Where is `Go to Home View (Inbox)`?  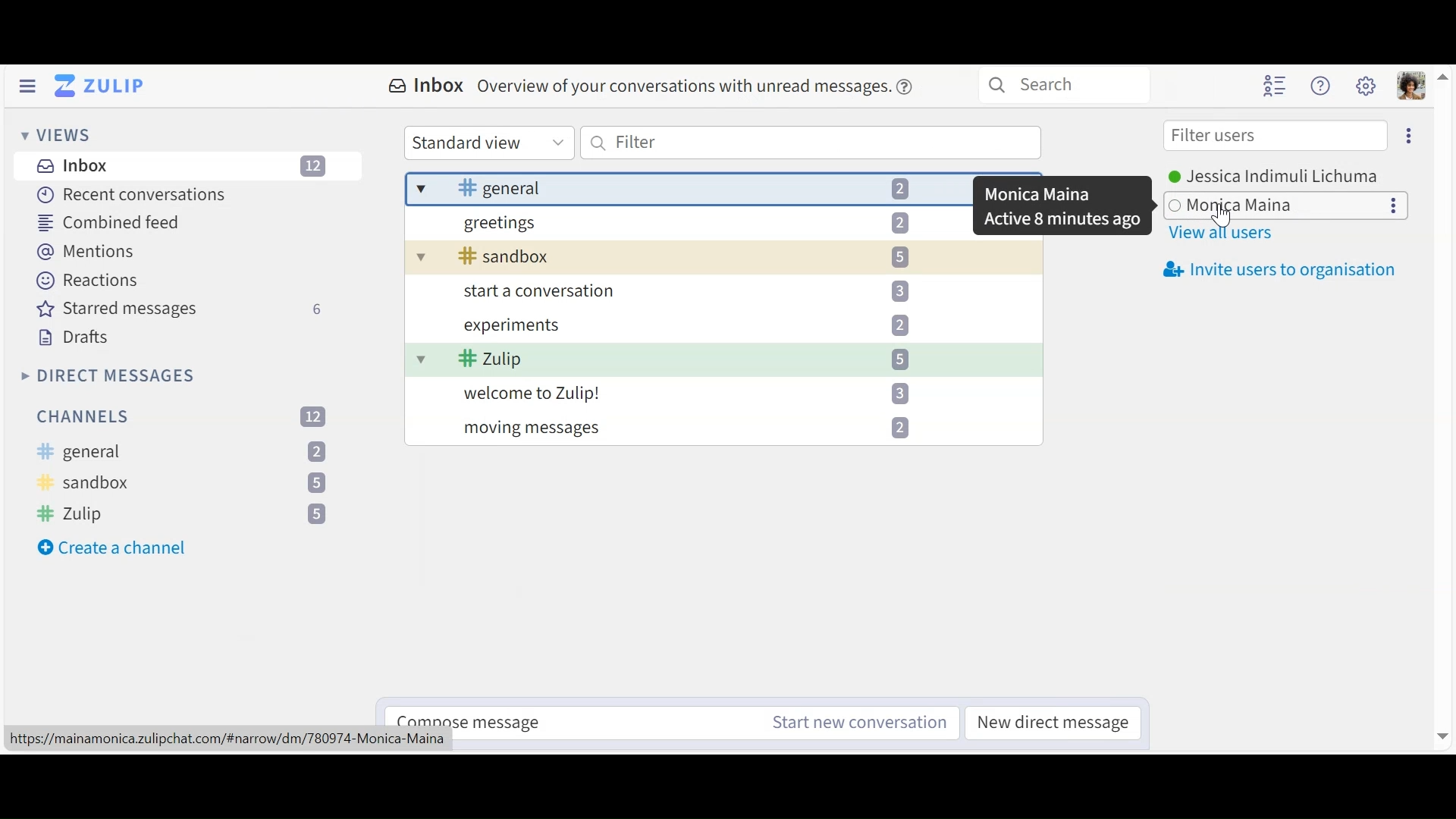 Go to Home View (Inbox) is located at coordinates (99, 86).